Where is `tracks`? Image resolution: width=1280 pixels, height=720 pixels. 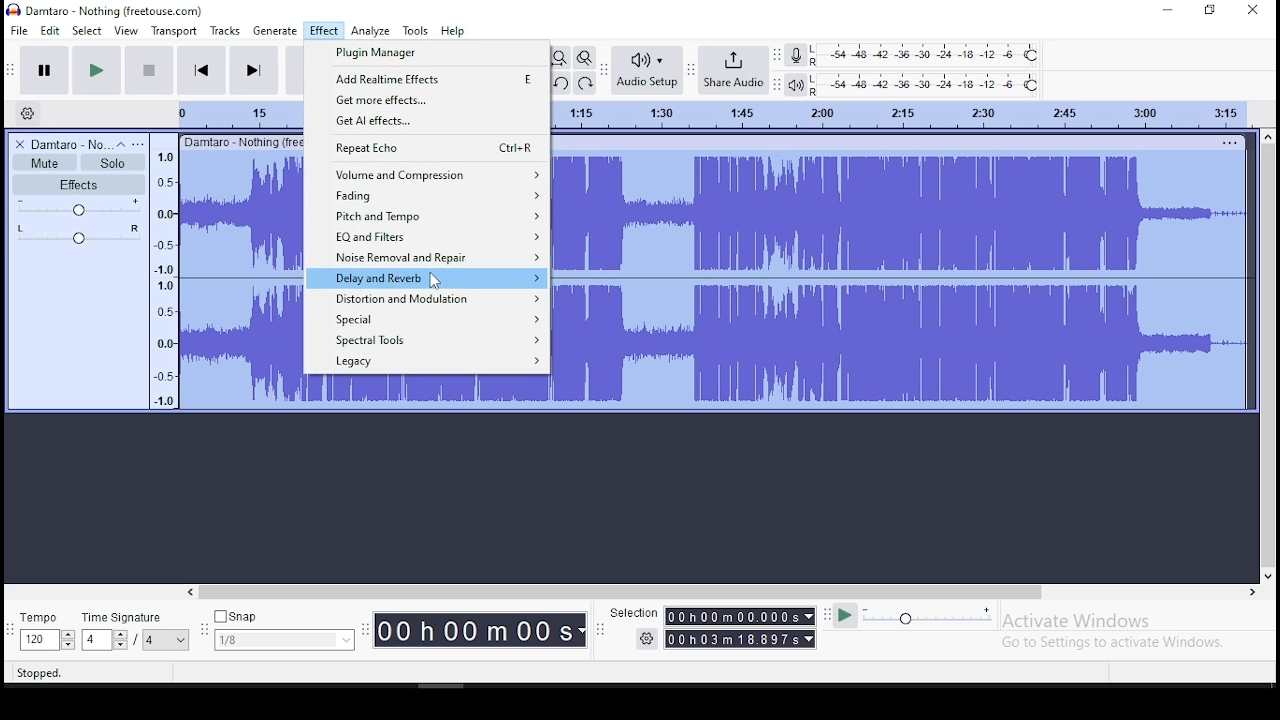 tracks is located at coordinates (224, 31).